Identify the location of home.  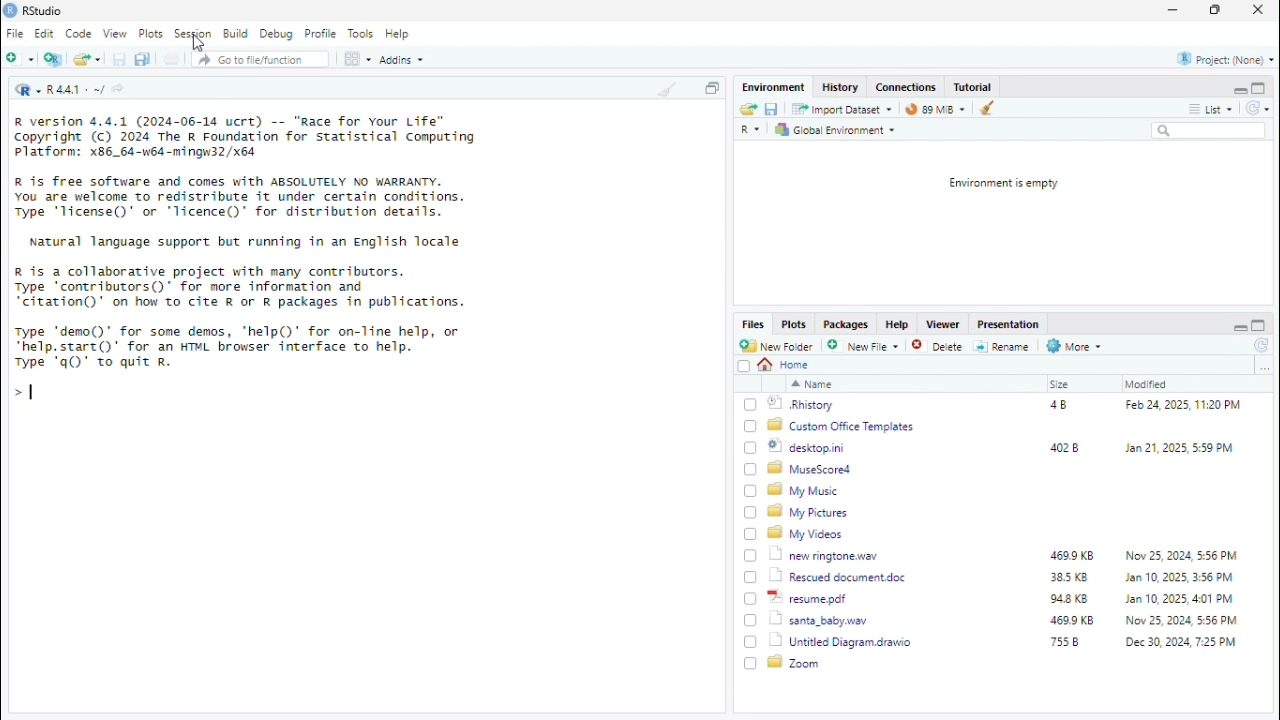
(785, 365).